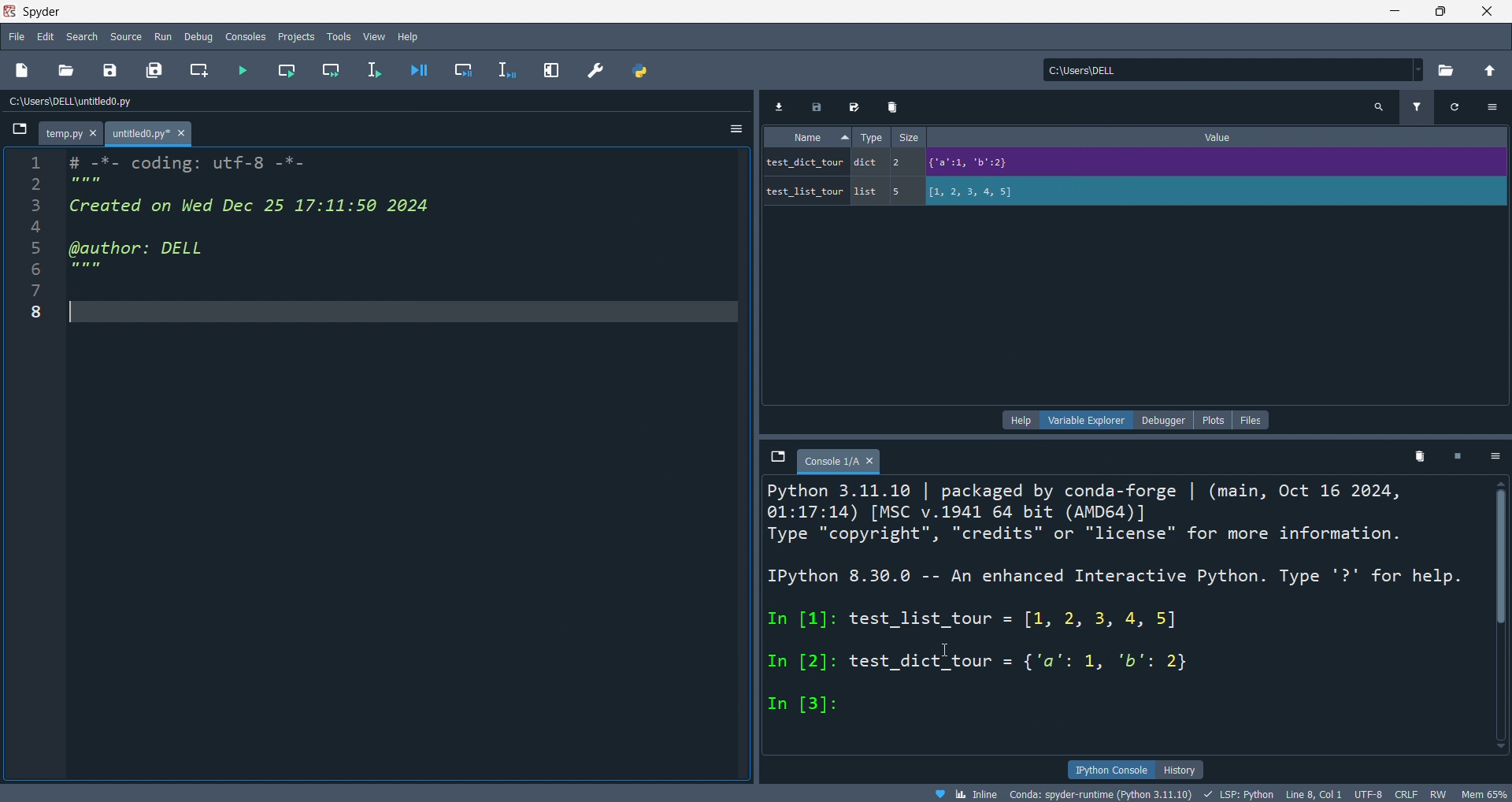 Image resolution: width=1512 pixels, height=802 pixels. Describe the element at coordinates (1439, 13) in the screenshot. I see `maximize/restore` at that location.